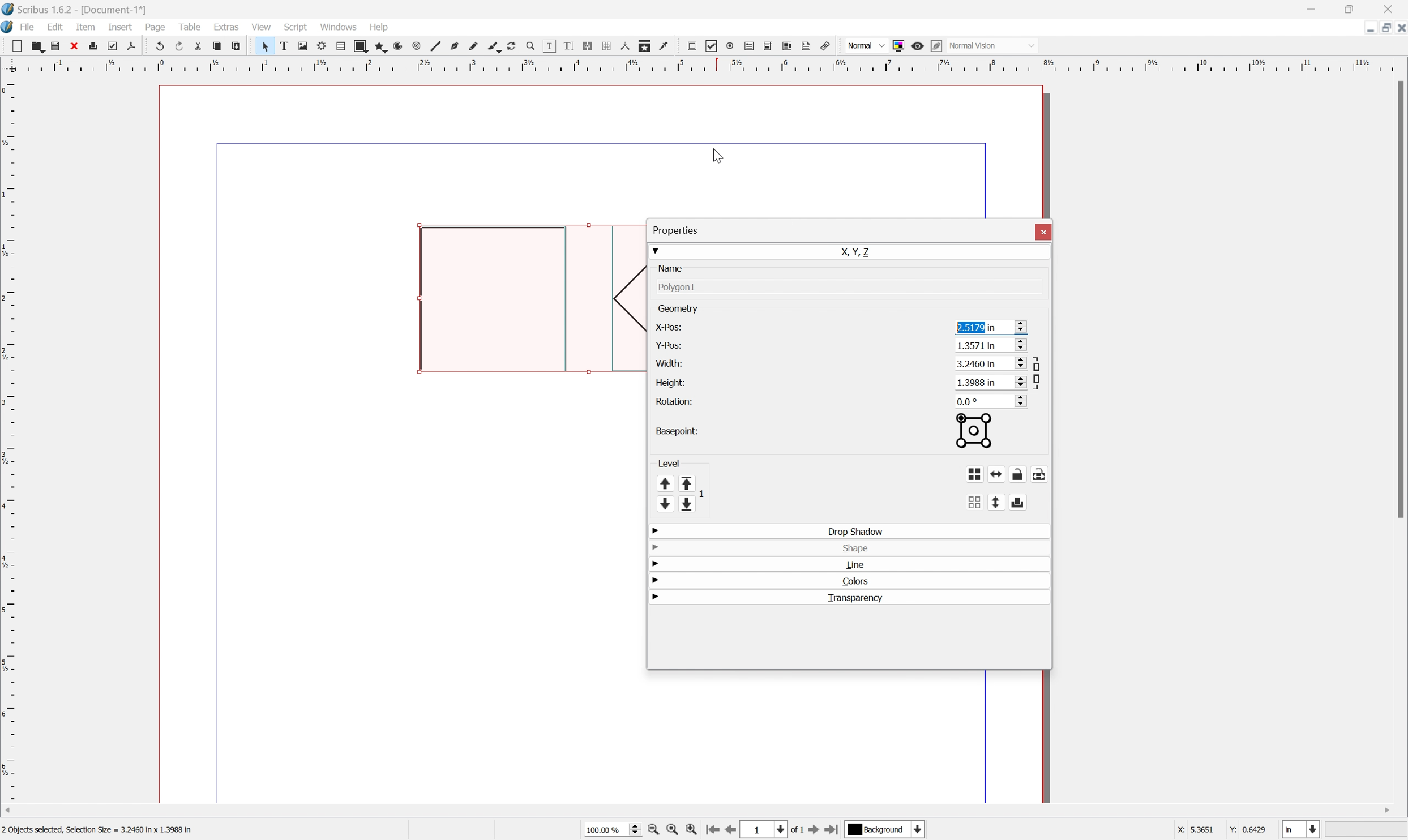  What do you see at coordinates (900, 46) in the screenshot?
I see `Toggle color management system` at bounding box center [900, 46].